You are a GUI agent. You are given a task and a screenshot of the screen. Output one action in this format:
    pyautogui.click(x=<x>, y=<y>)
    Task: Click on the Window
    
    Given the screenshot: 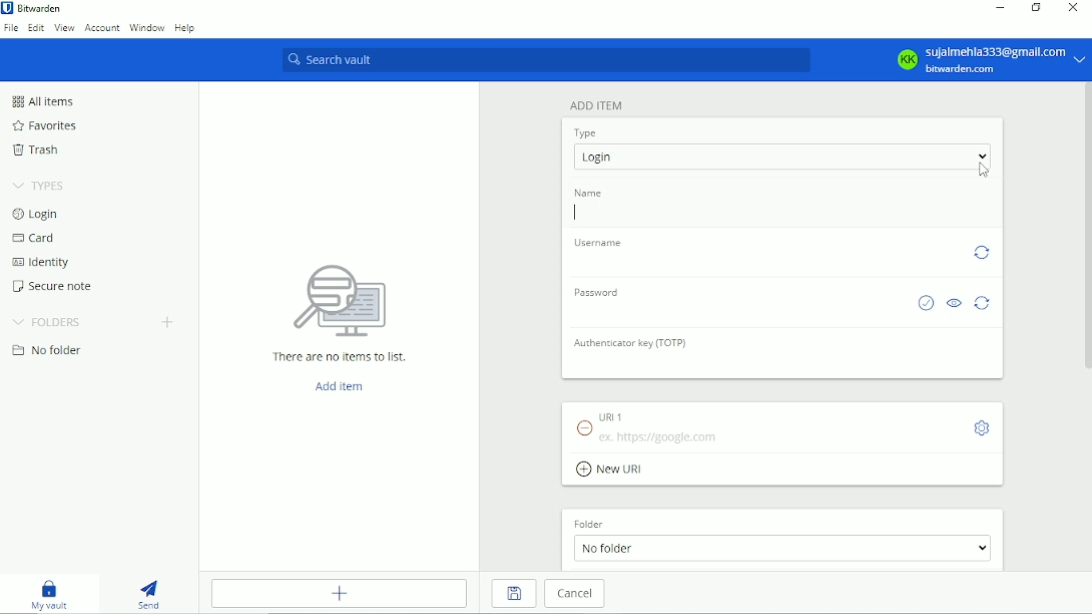 What is the action you would take?
    pyautogui.click(x=147, y=27)
    